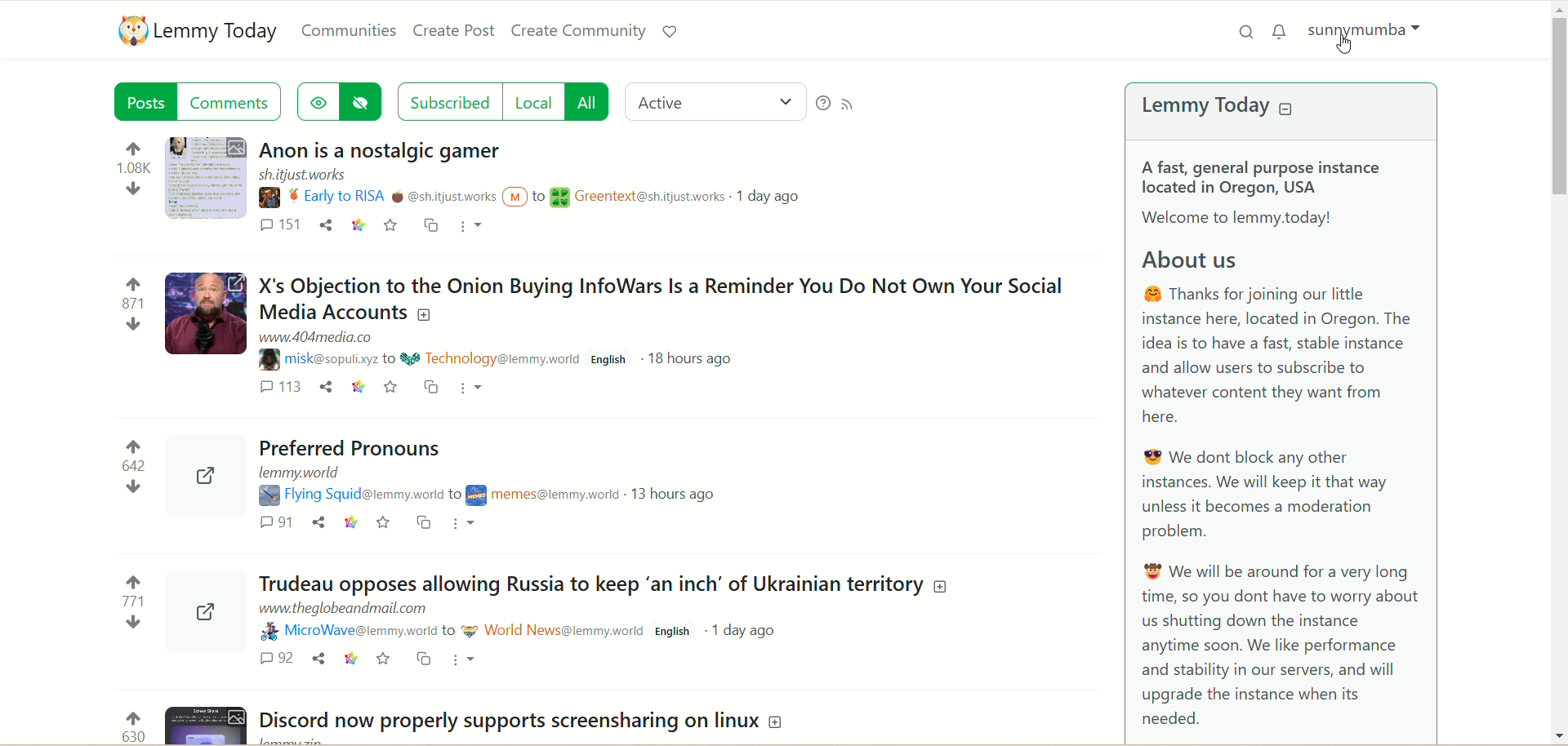  I want to click on Cross post, so click(423, 522).